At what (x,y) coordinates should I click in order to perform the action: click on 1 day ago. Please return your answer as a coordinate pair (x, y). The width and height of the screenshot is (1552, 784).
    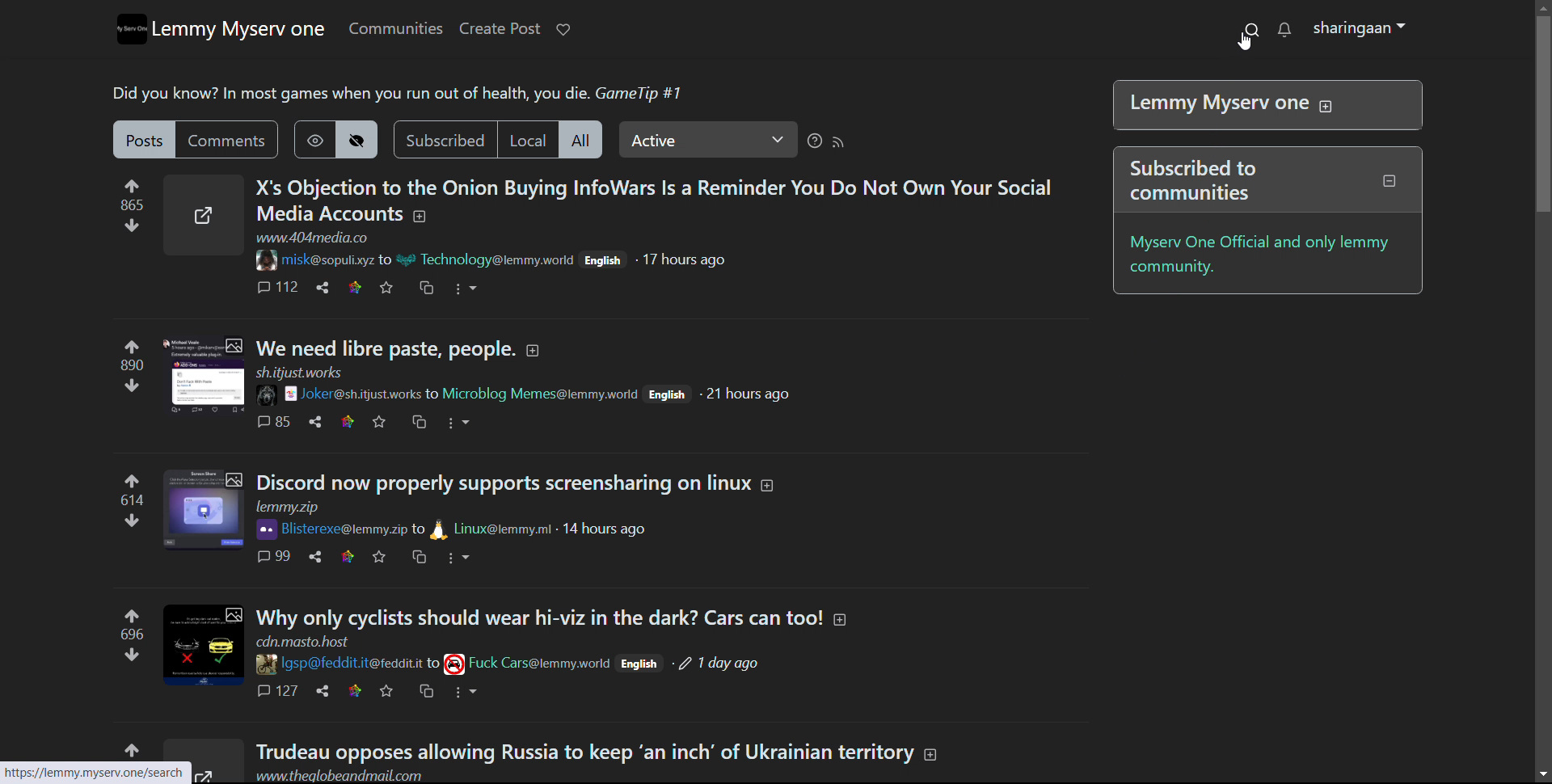
    Looking at the image, I should click on (729, 667).